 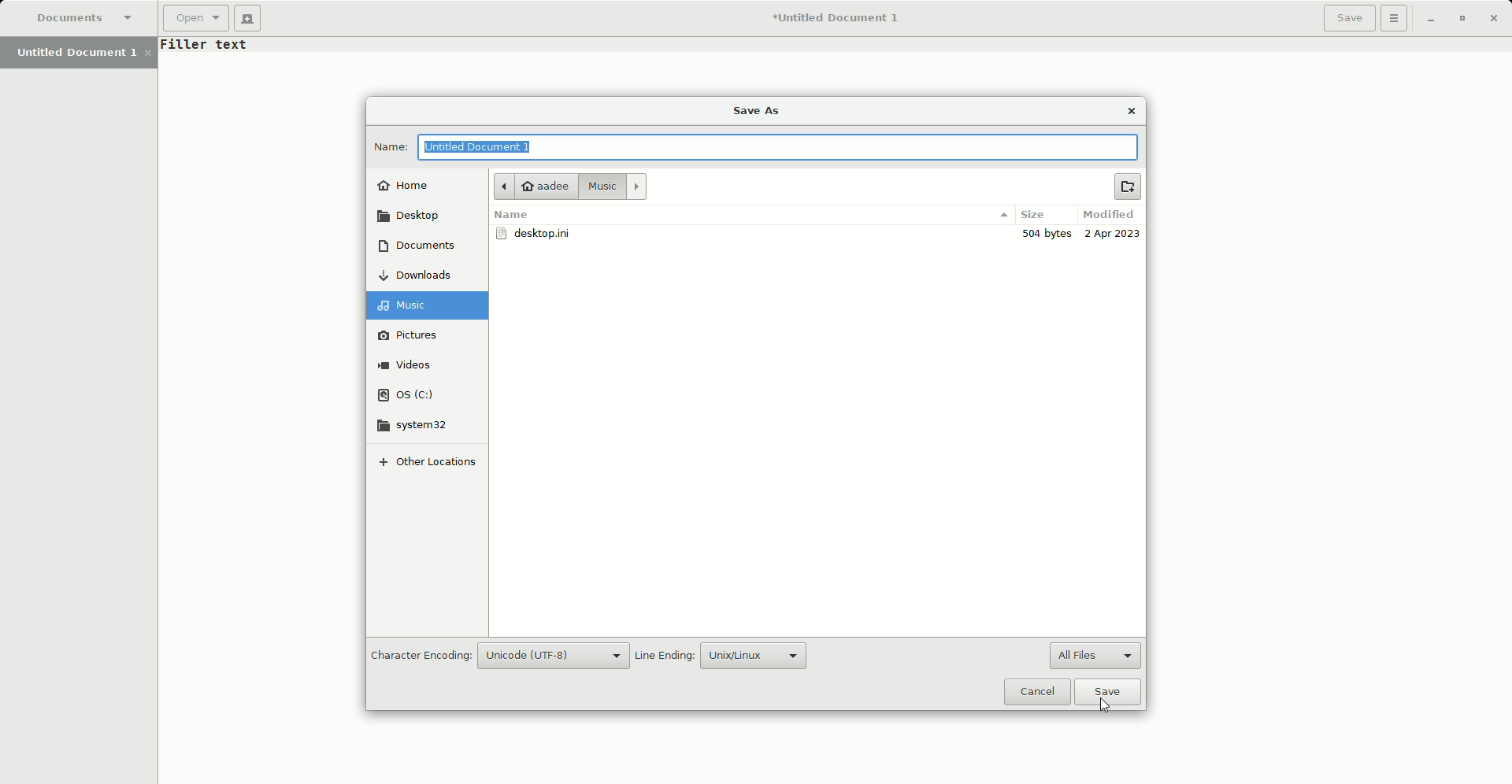 What do you see at coordinates (535, 186) in the screenshot?
I see `Aadee` at bounding box center [535, 186].